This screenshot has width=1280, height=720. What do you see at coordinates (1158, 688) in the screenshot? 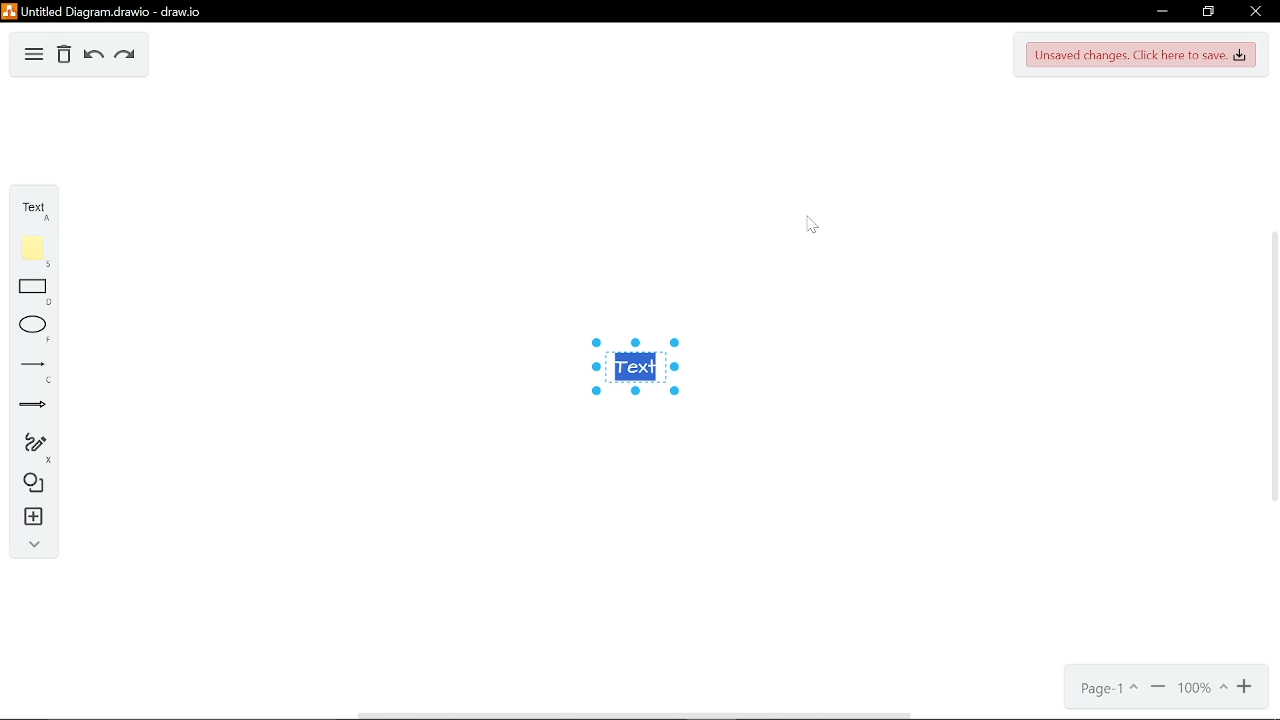
I see `Zoom out` at bounding box center [1158, 688].